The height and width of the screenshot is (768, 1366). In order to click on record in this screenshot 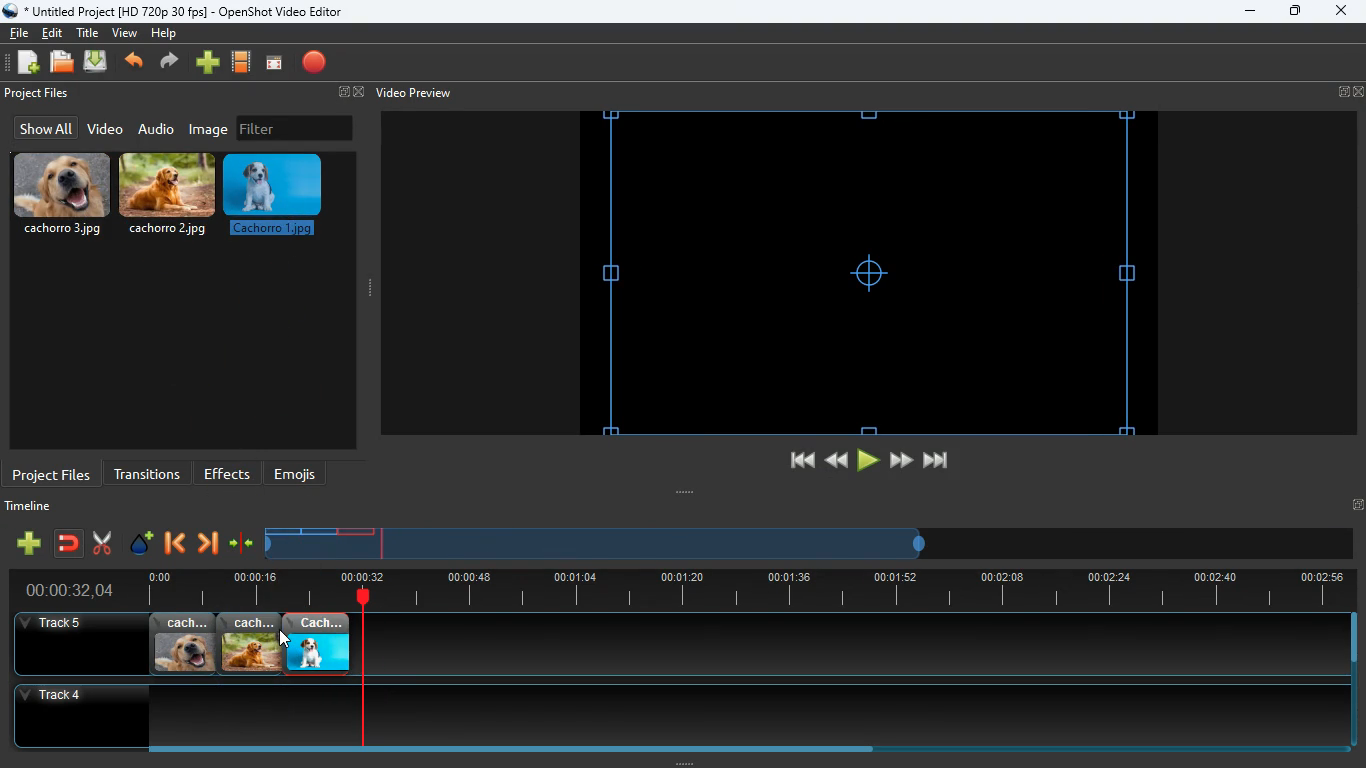, I will do `click(316, 64)`.